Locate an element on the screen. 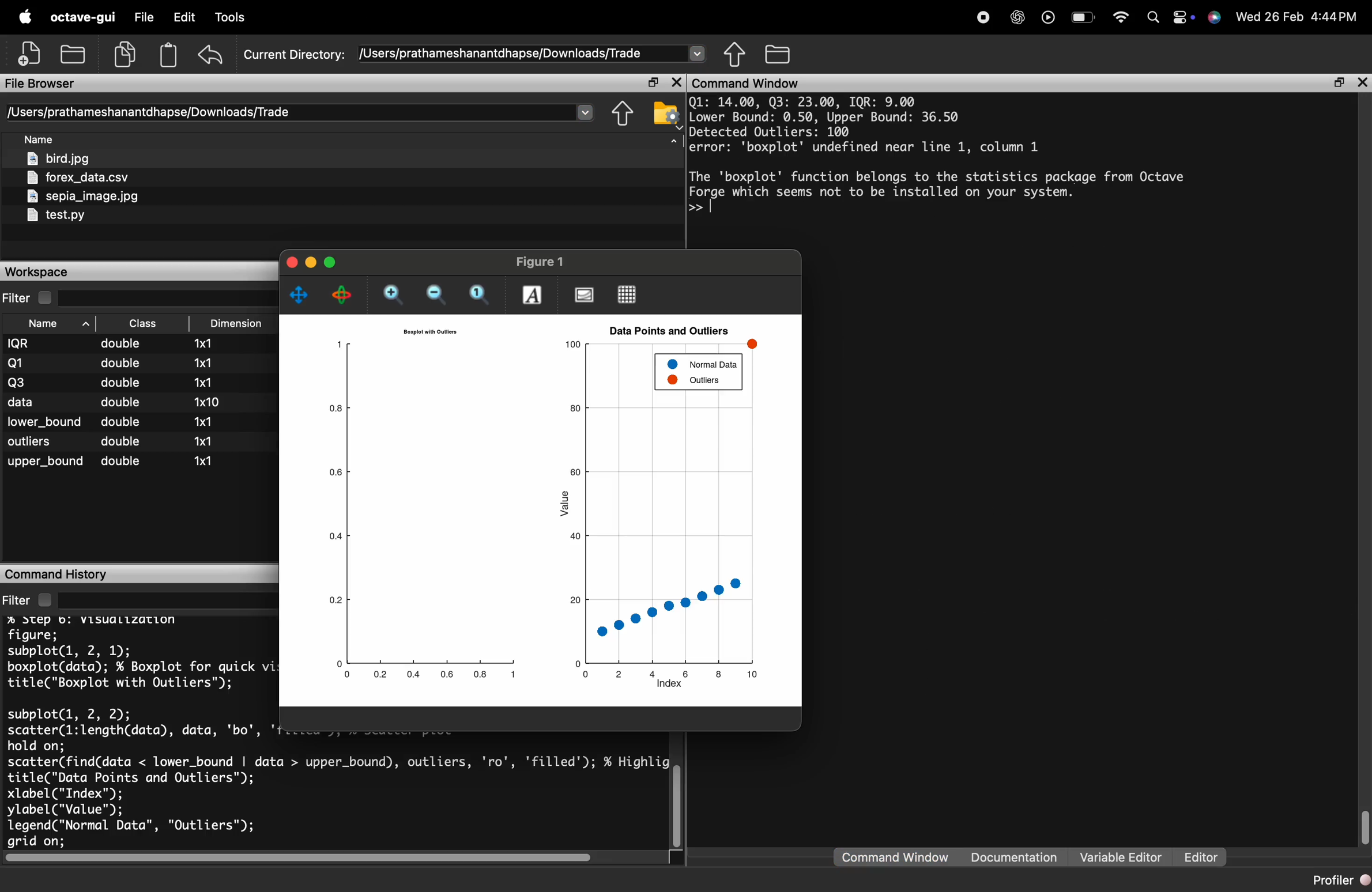  Debug is located at coordinates (233, 18).